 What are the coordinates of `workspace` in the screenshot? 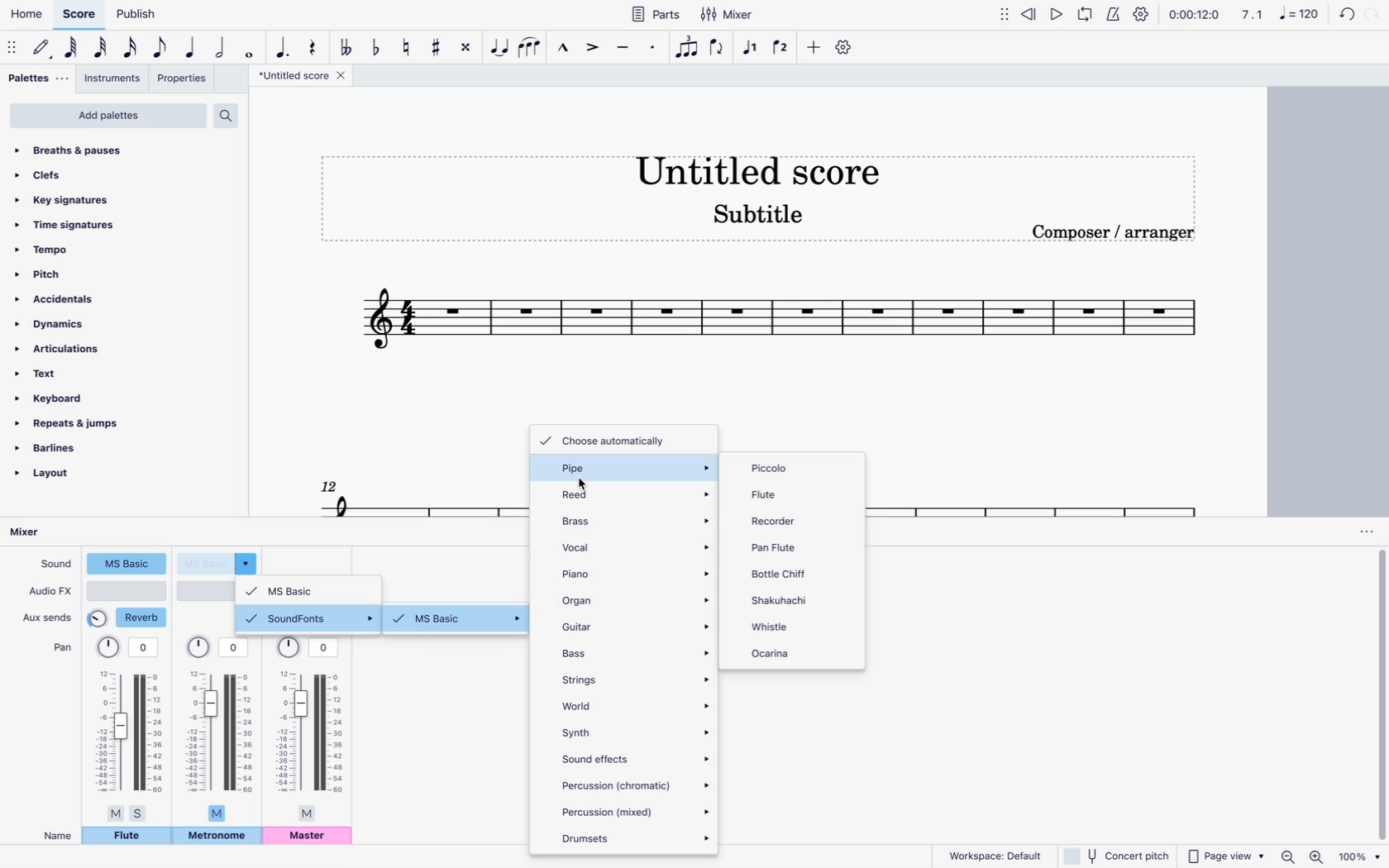 It's located at (995, 855).